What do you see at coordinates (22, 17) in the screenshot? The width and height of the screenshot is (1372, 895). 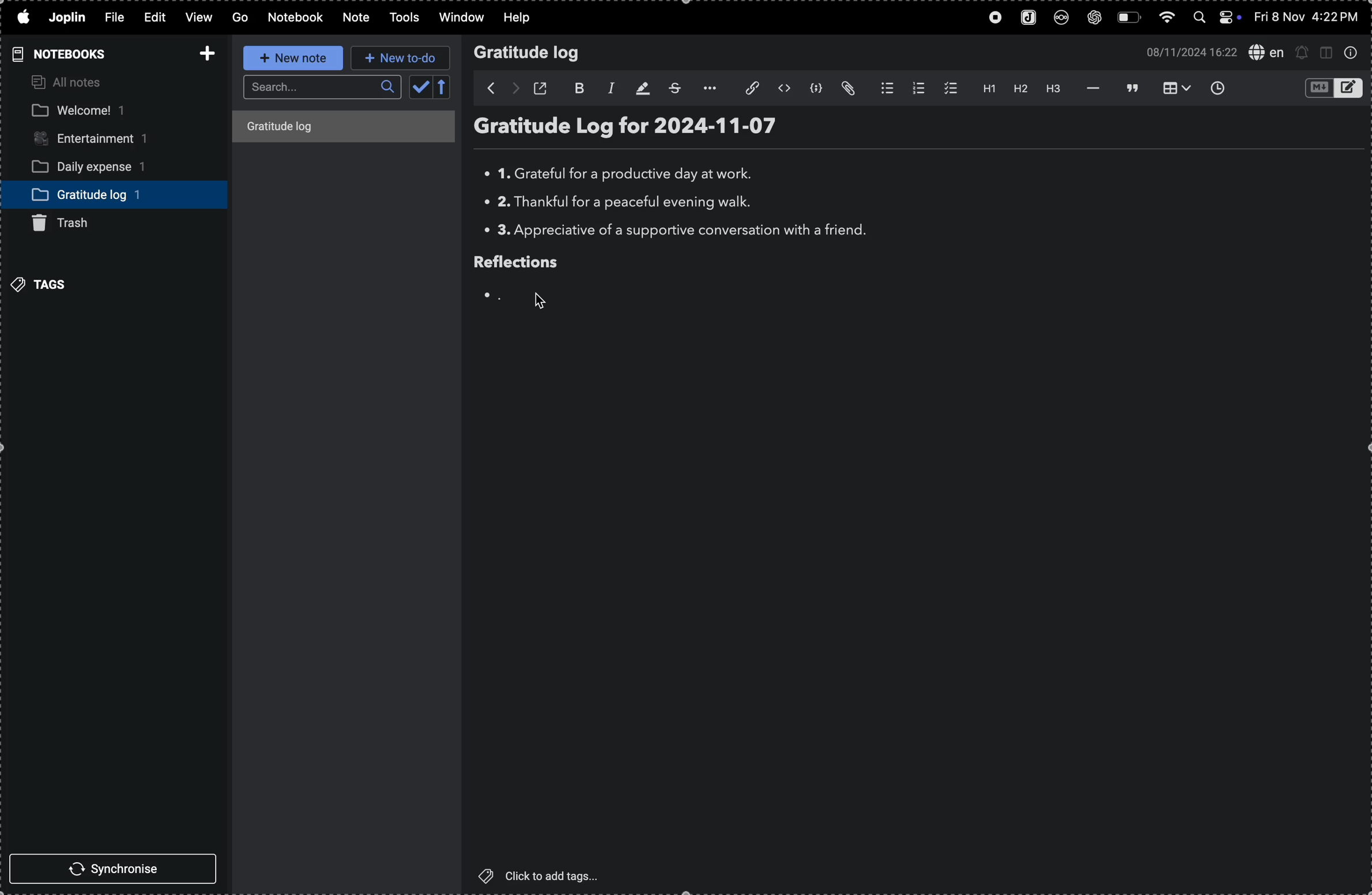 I see `apple menu` at bounding box center [22, 17].